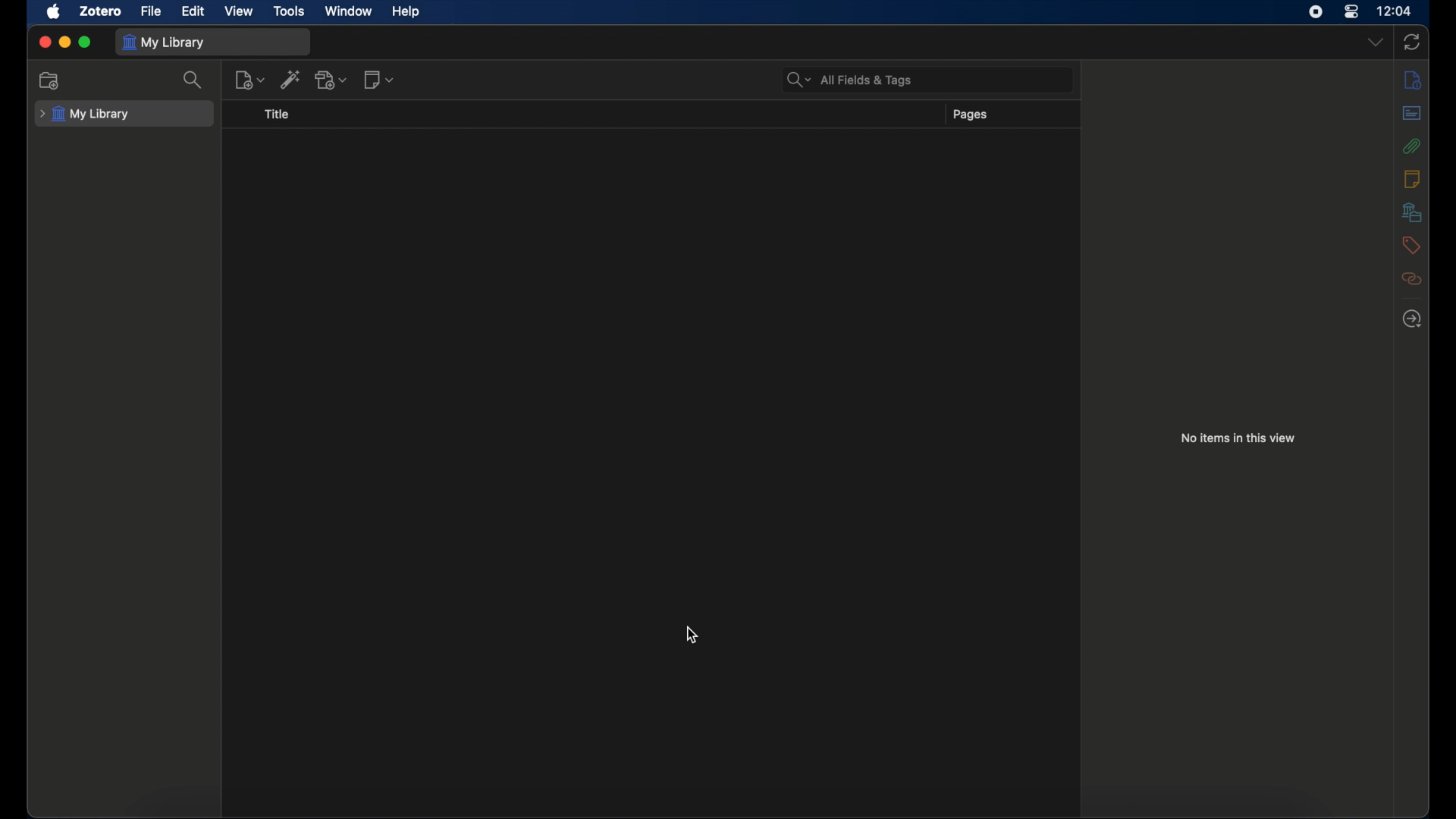 The height and width of the screenshot is (819, 1456). I want to click on sync, so click(1411, 42).